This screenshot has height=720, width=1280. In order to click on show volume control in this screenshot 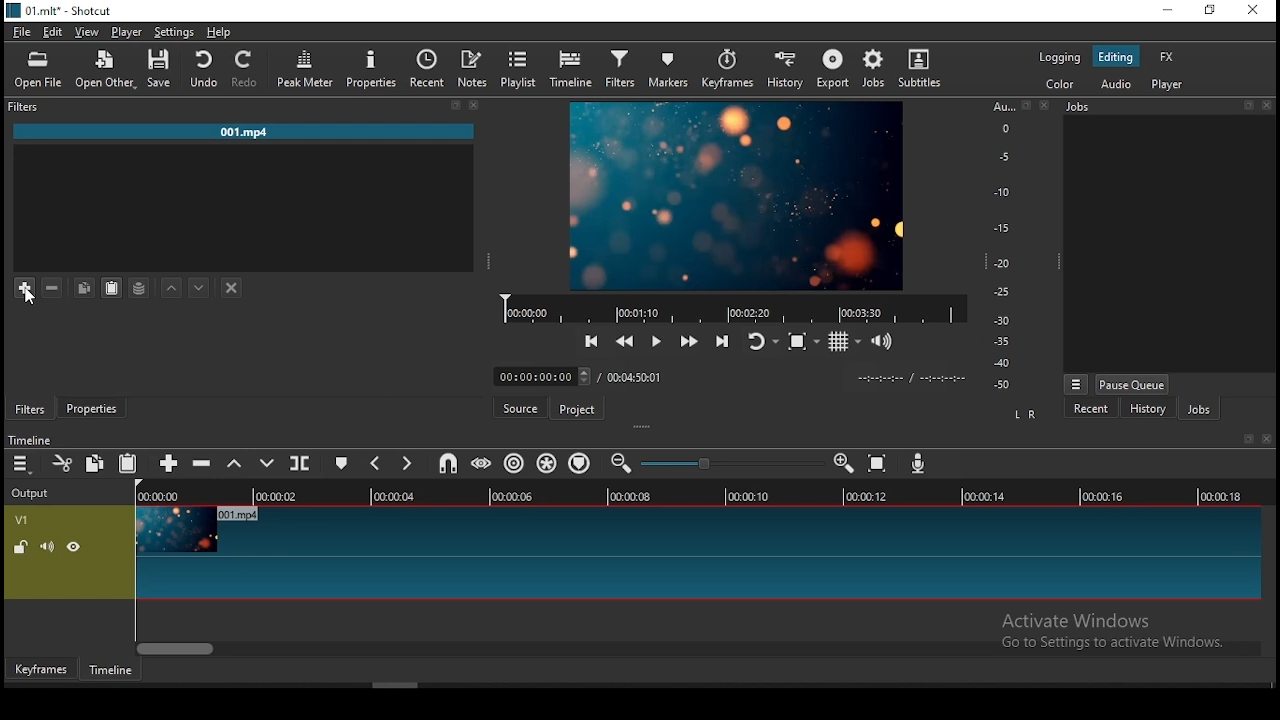, I will do `click(885, 340)`.